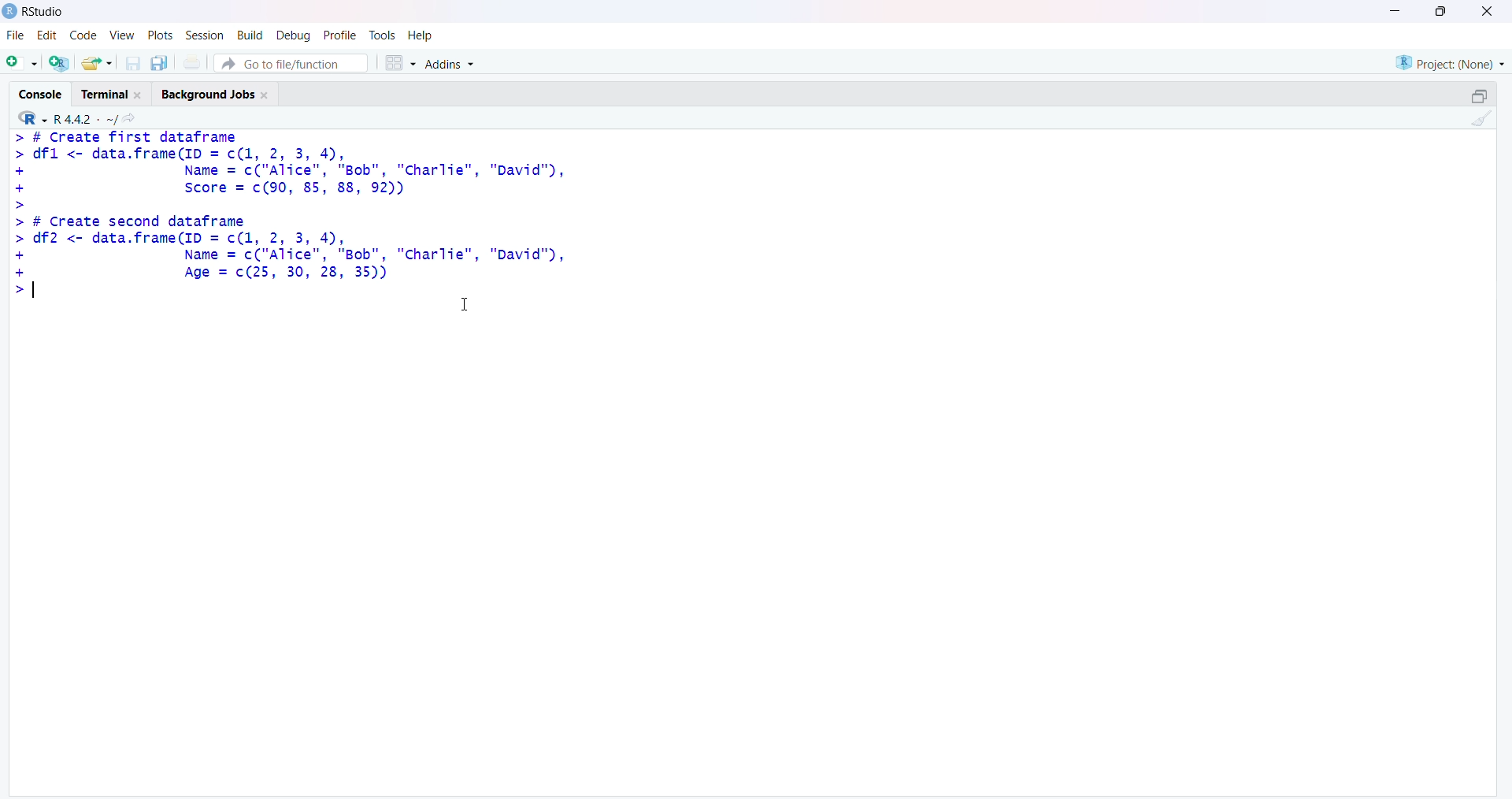  Describe the element at coordinates (1395, 10) in the screenshot. I see `minimise` at that location.